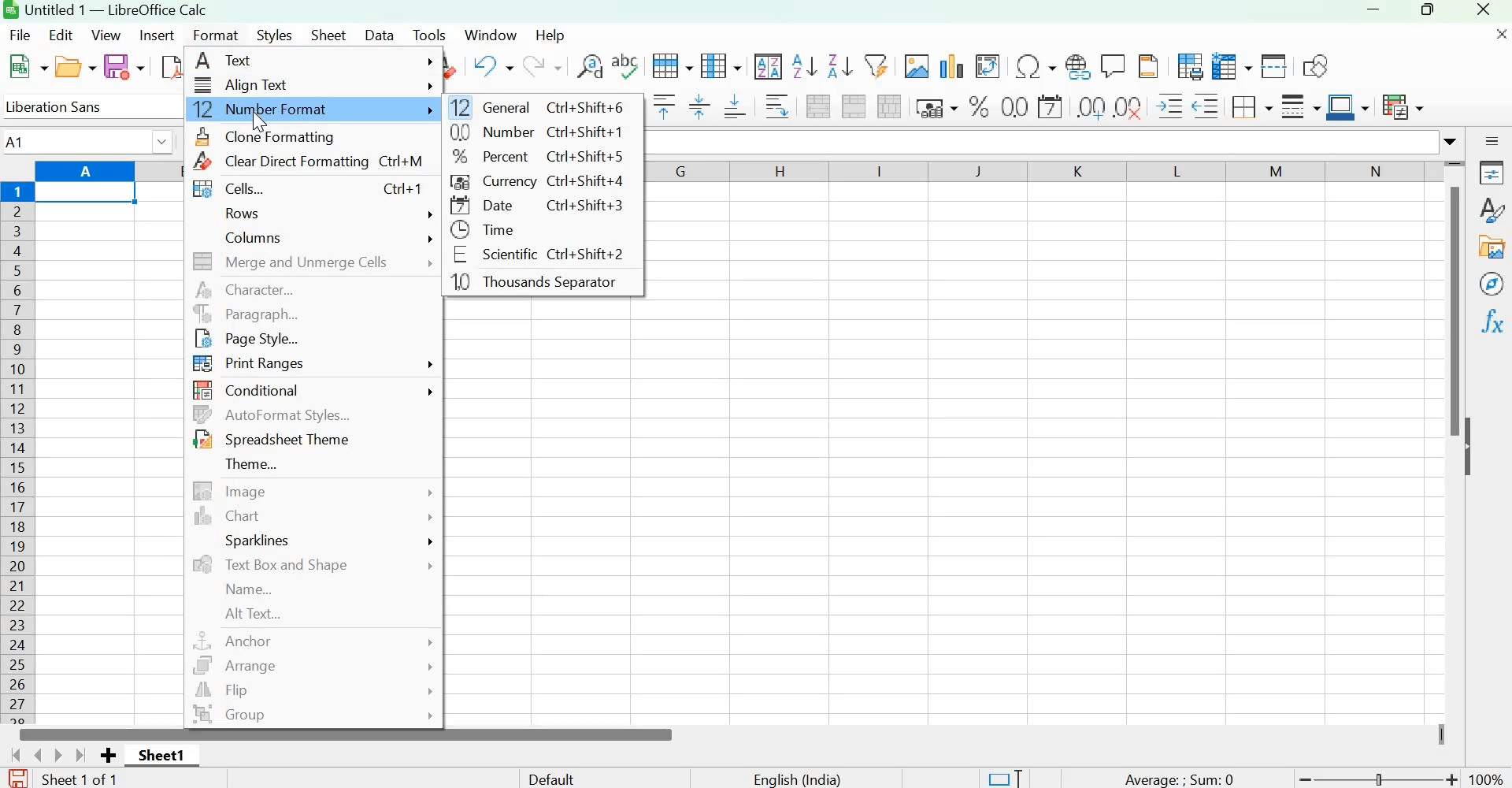  What do you see at coordinates (736, 110) in the screenshot?
I see `Align bottom` at bounding box center [736, 110].